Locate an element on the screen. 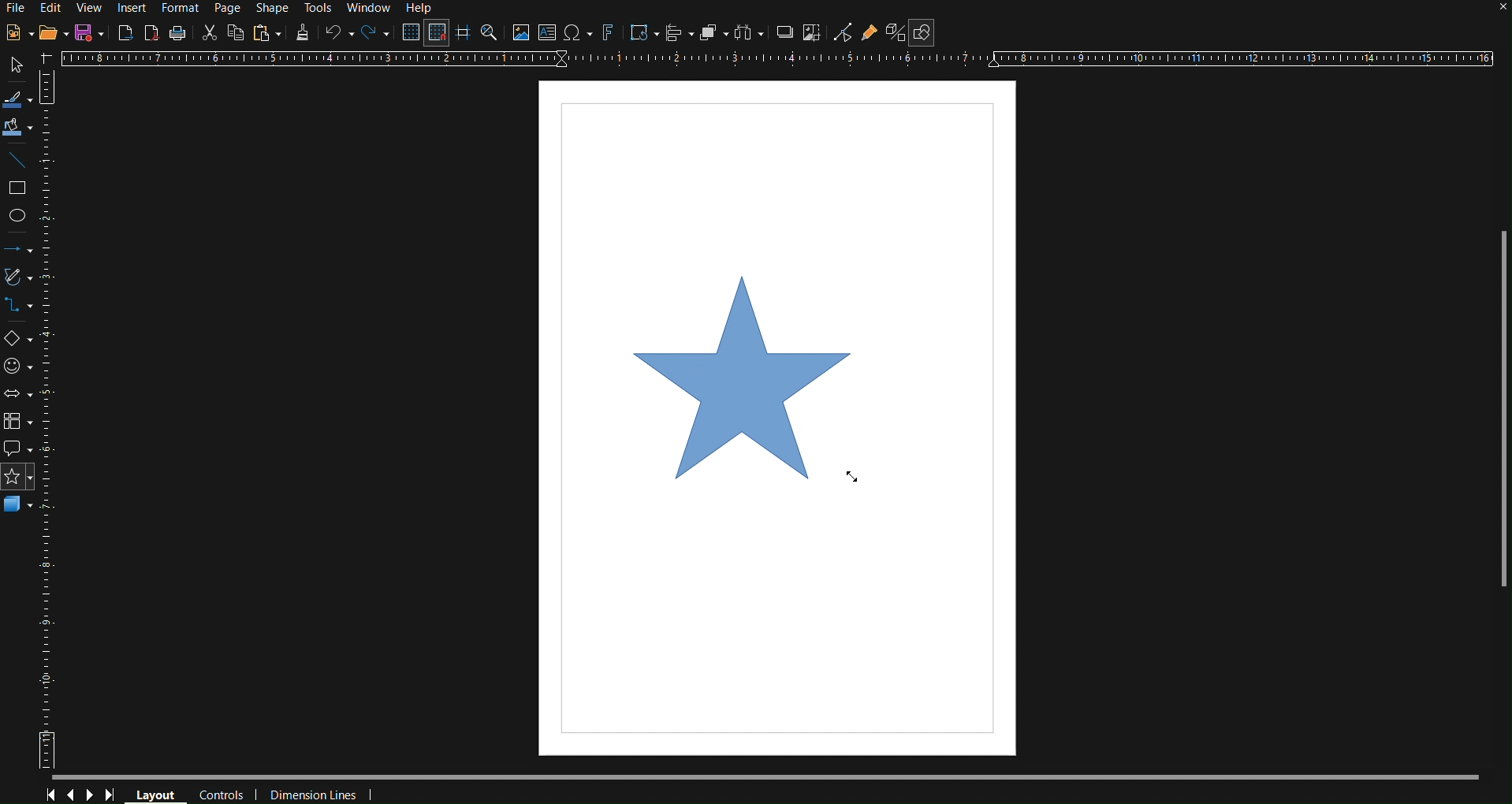 This screenshot has width=1512, height=804. Ellipse is located at coordinates (22, 217).